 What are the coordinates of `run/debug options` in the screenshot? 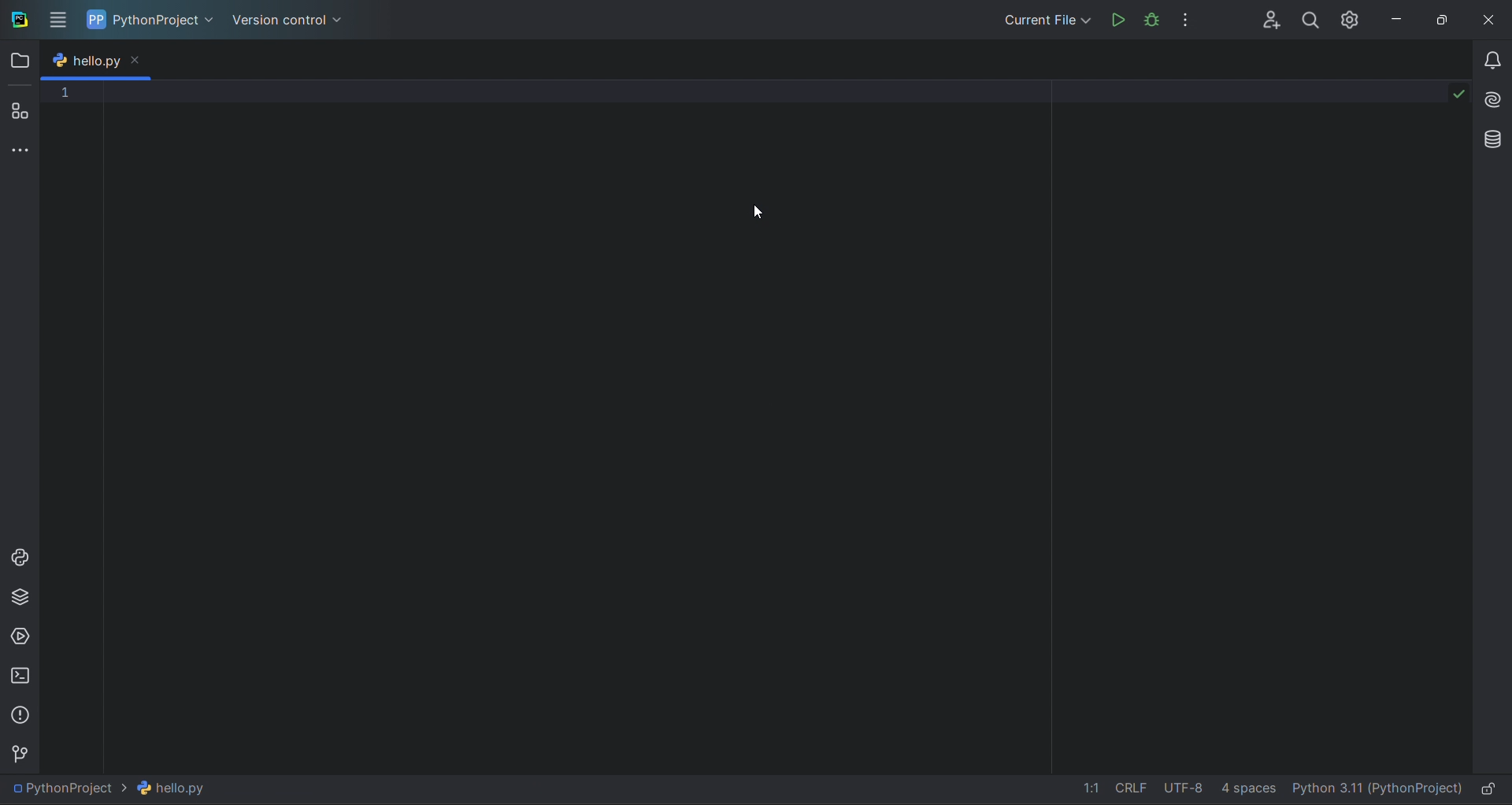 It's located at (1044, 20).